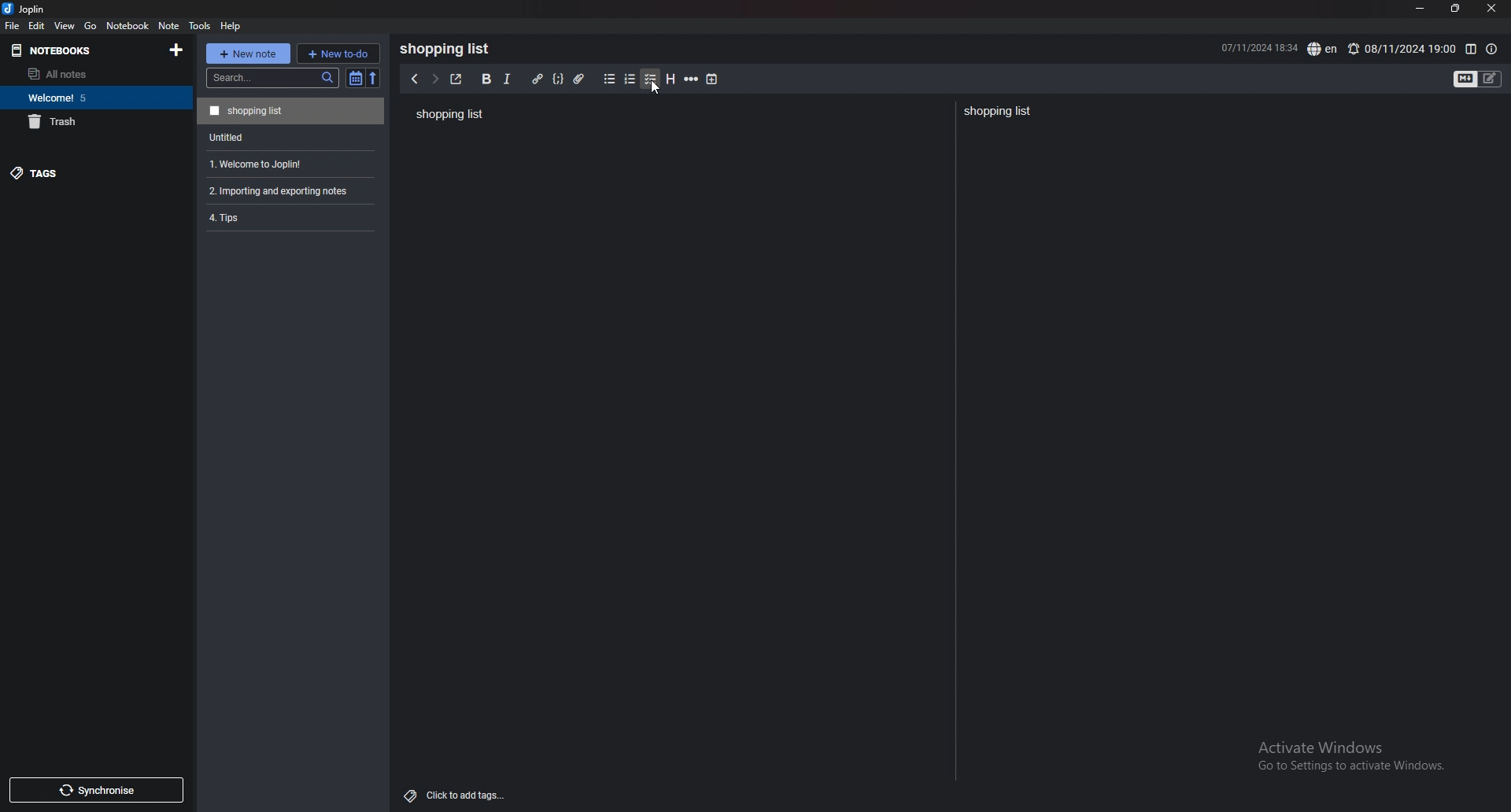 This screenshot has width=1511, height=812. What do you see at coordinates (1454, 9) in the screenshot?
I see `resize` at bounding box center [1454, 9].